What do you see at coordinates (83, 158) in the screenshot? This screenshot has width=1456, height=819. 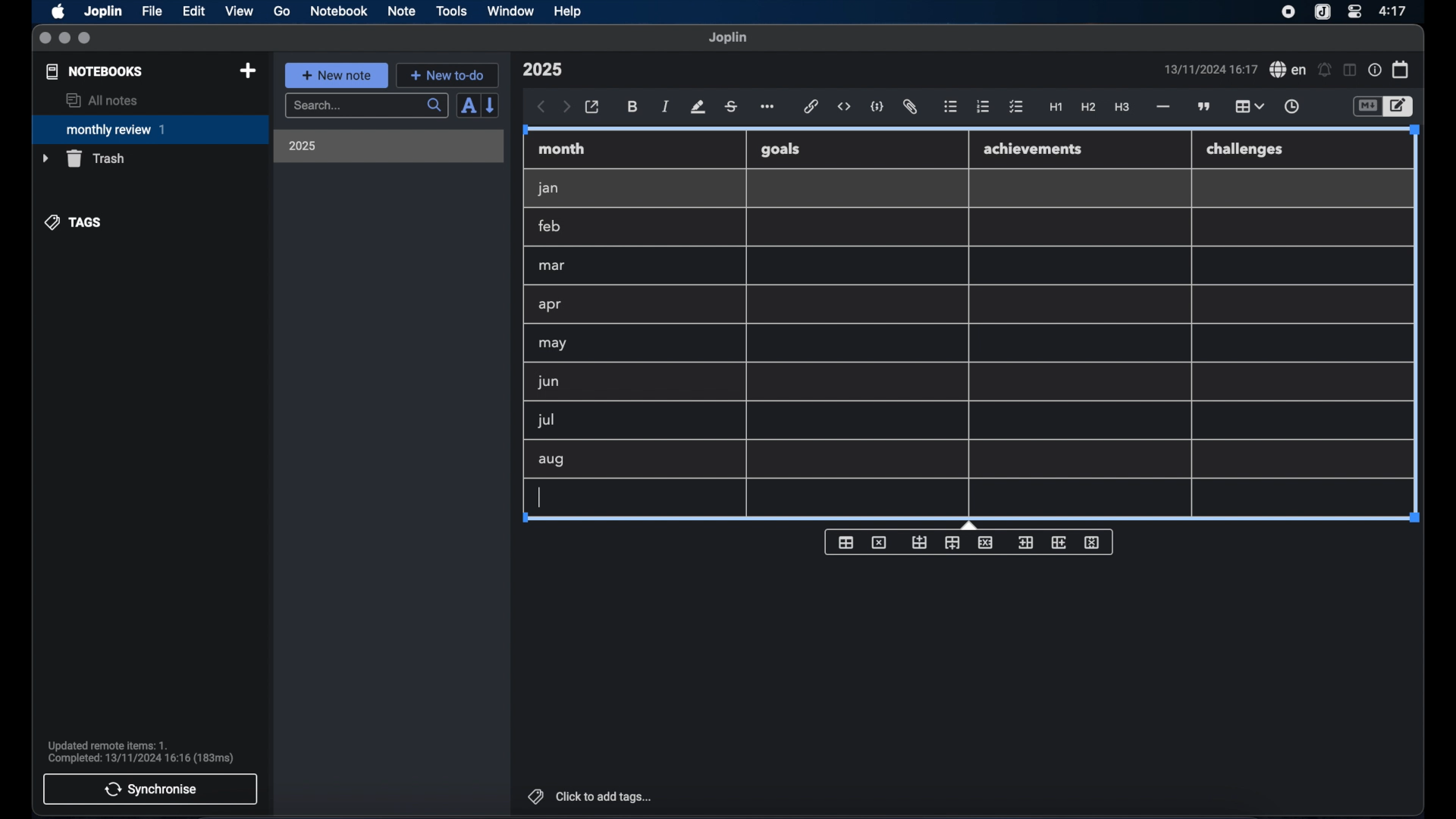 I see `trash` at bounding box center [83, 158].